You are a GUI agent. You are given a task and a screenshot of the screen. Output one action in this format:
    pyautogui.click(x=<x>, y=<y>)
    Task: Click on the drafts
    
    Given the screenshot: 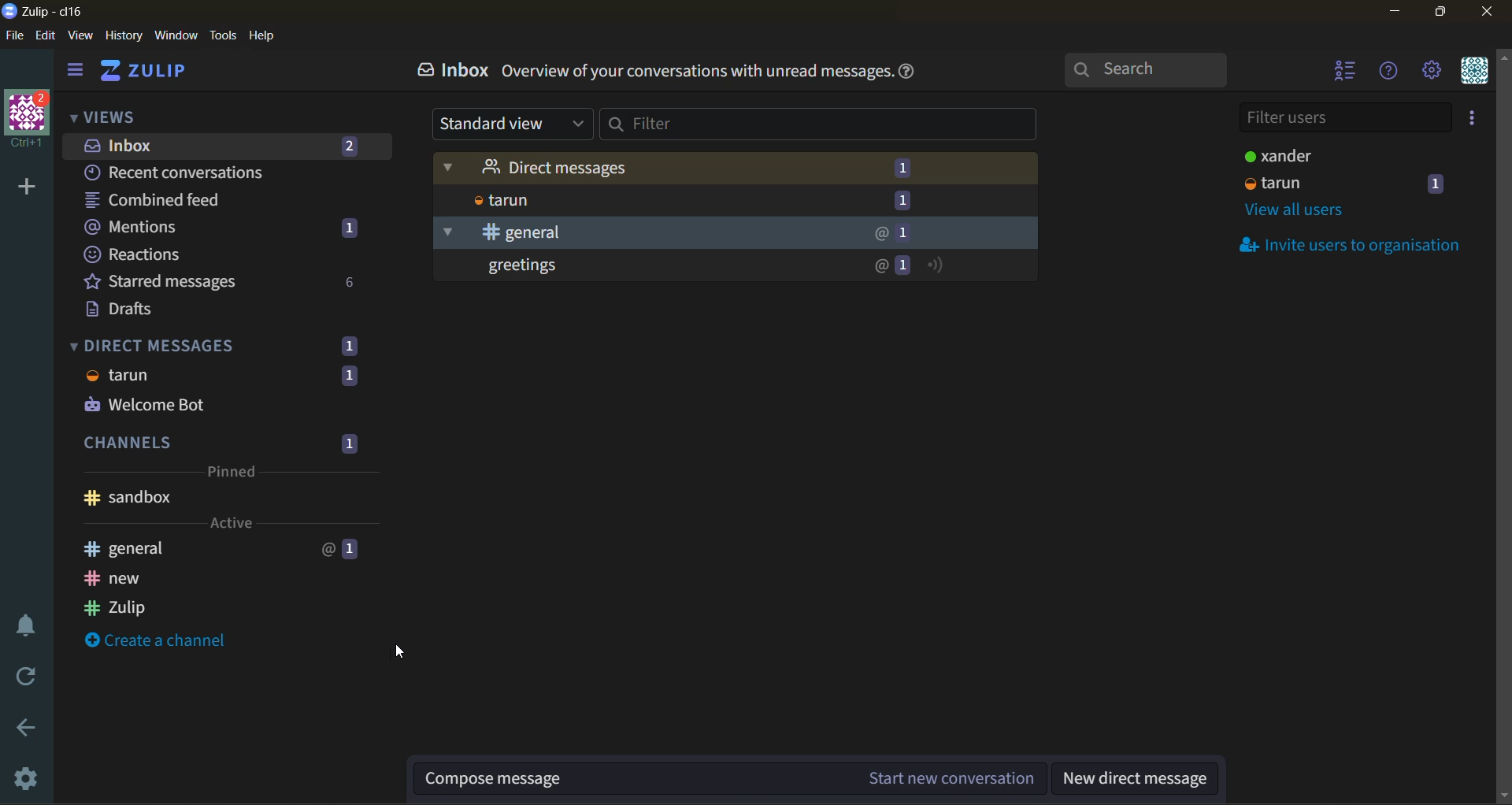 What is the action you would take?
    pyautogui.click(x=139, y=311)
    